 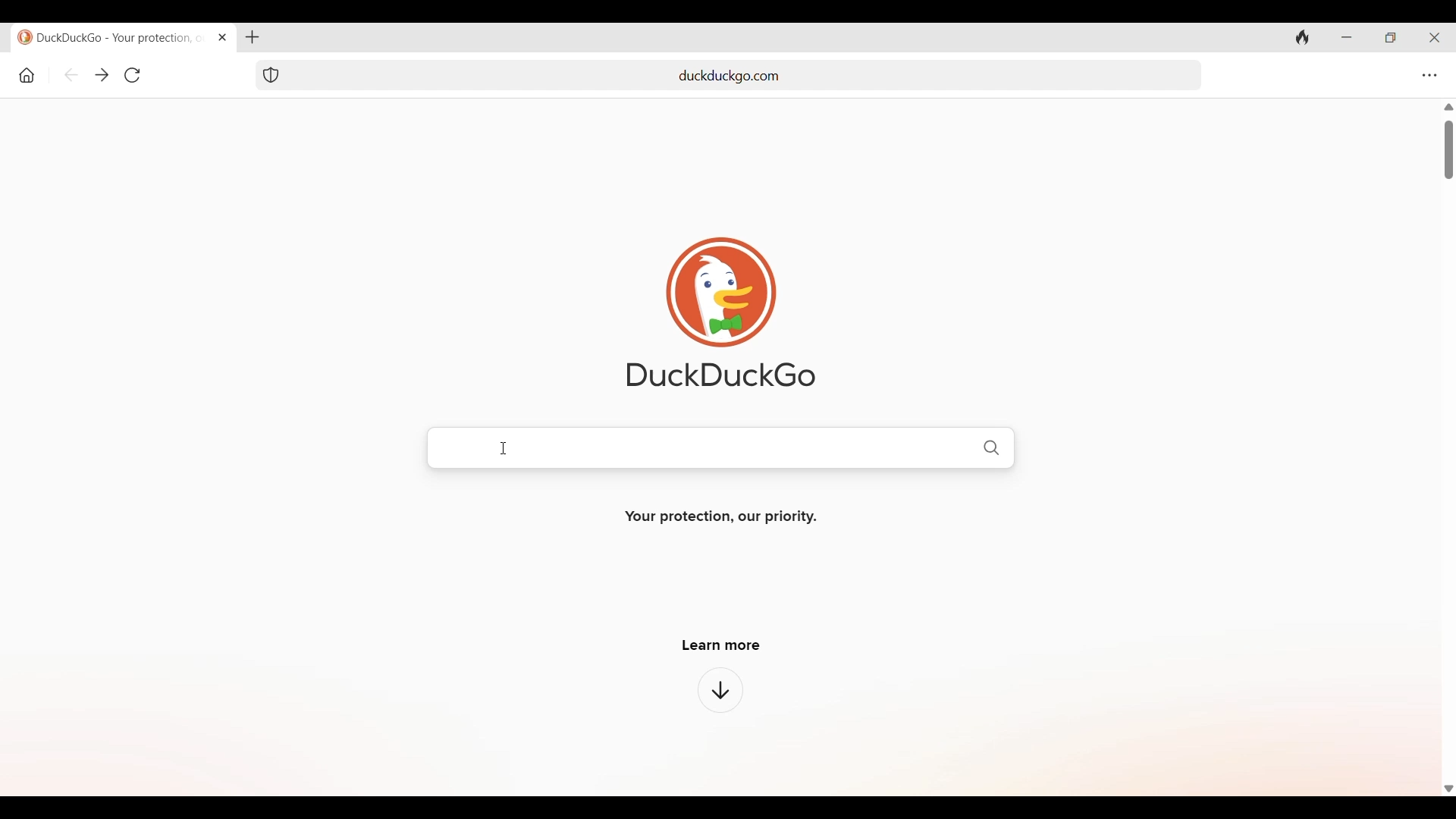 I want to click on duckduckgo - your protection, our priority., so click(x=101, y=38).